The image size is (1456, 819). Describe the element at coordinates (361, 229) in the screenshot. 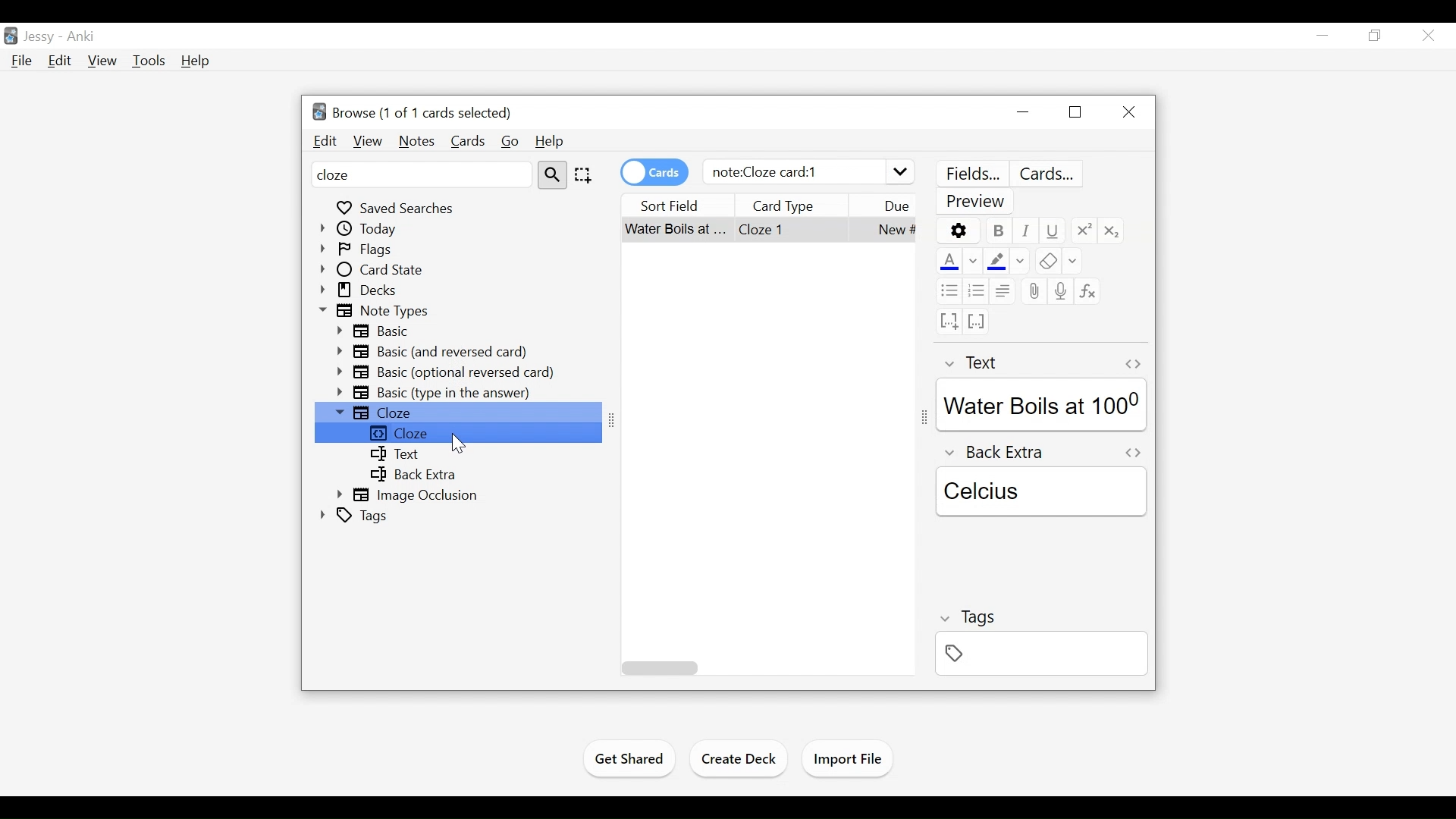

I see `Today` at that location.